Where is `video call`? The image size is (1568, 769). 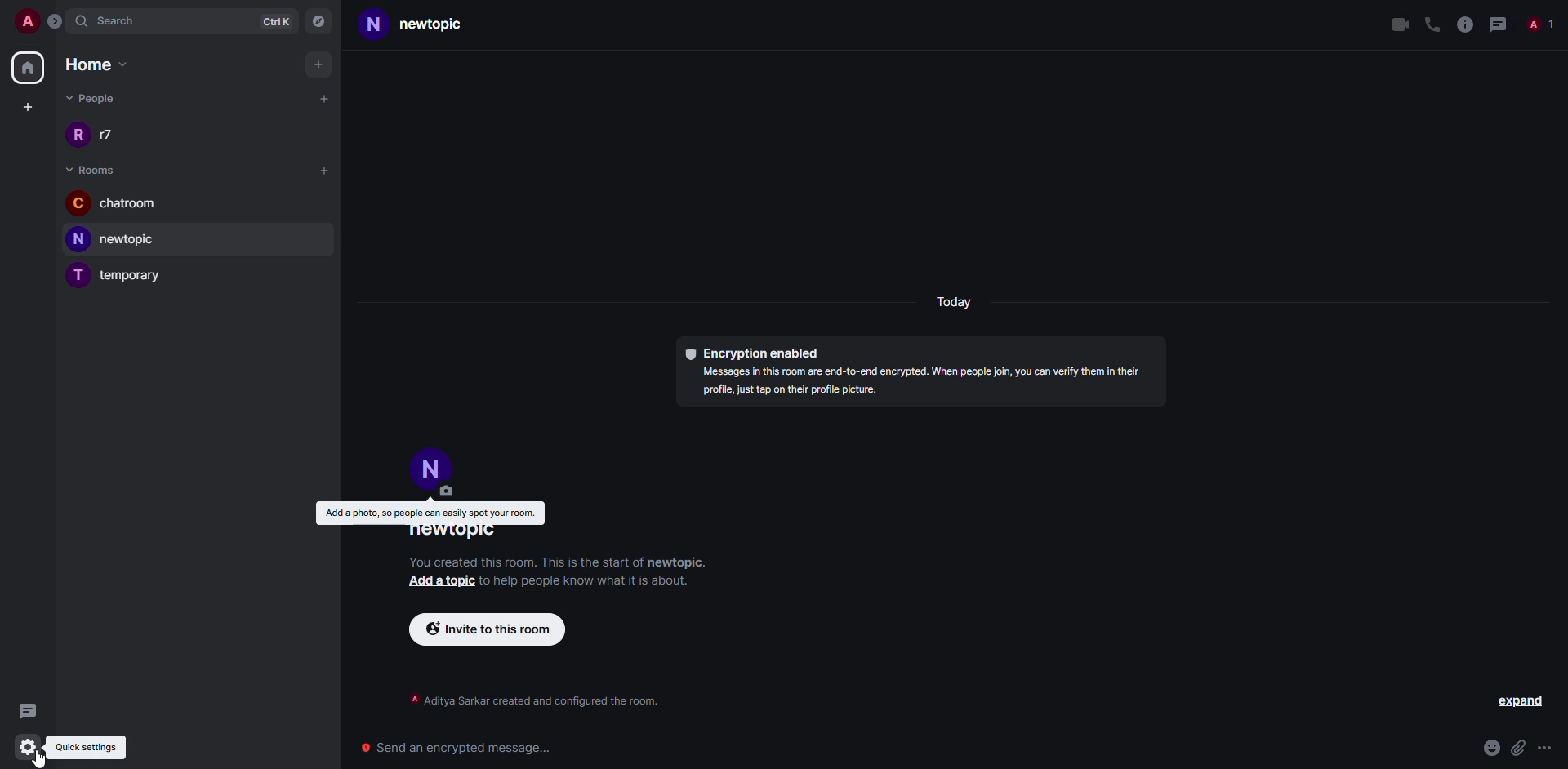 video call is located at coordinates (1399, 25).